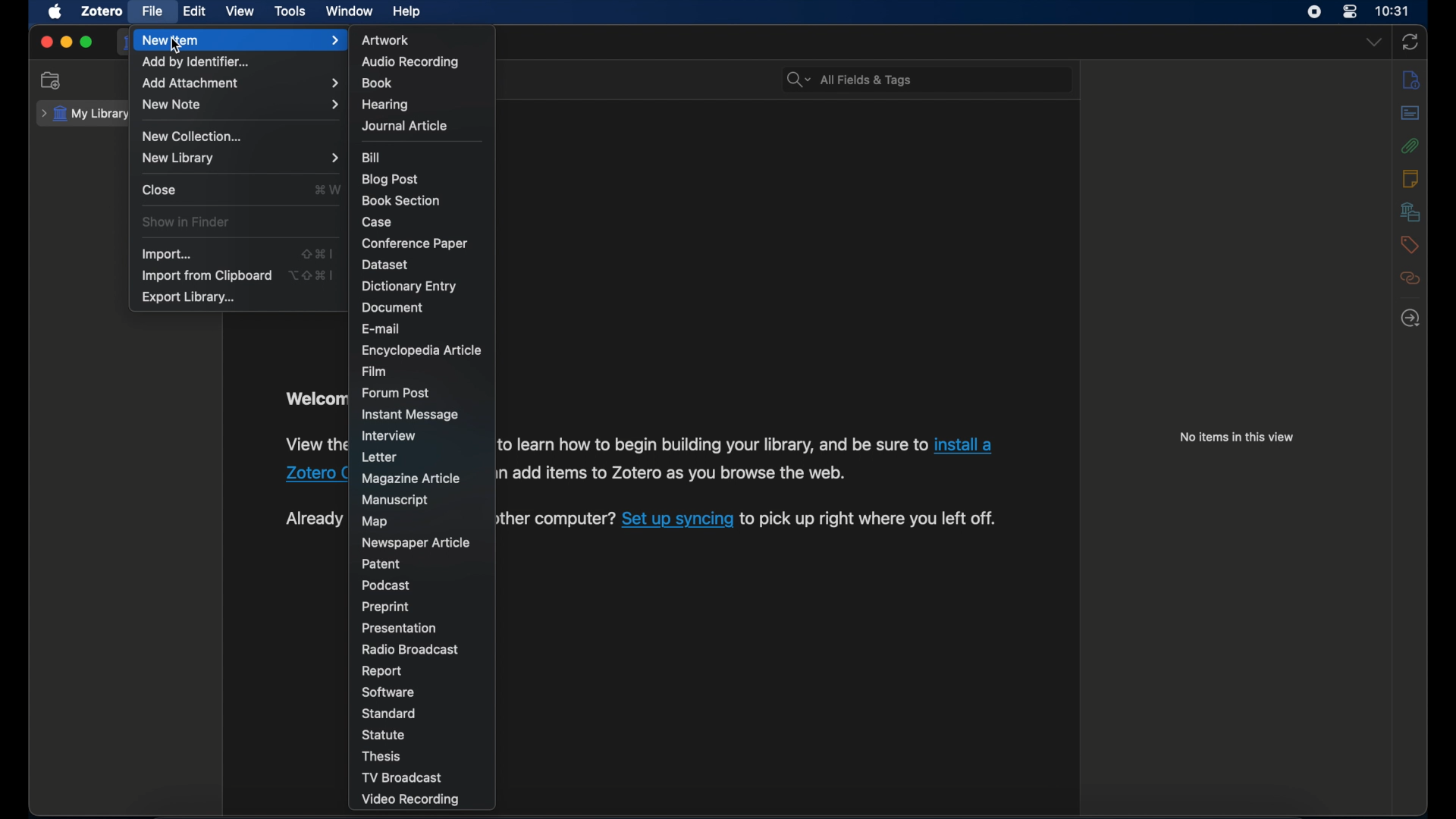 This screenshot has width=1456, height=819. What do you see at coordinates (409, 414) in the screenshot?
I see `instant message` at bounding box center [409, 414].